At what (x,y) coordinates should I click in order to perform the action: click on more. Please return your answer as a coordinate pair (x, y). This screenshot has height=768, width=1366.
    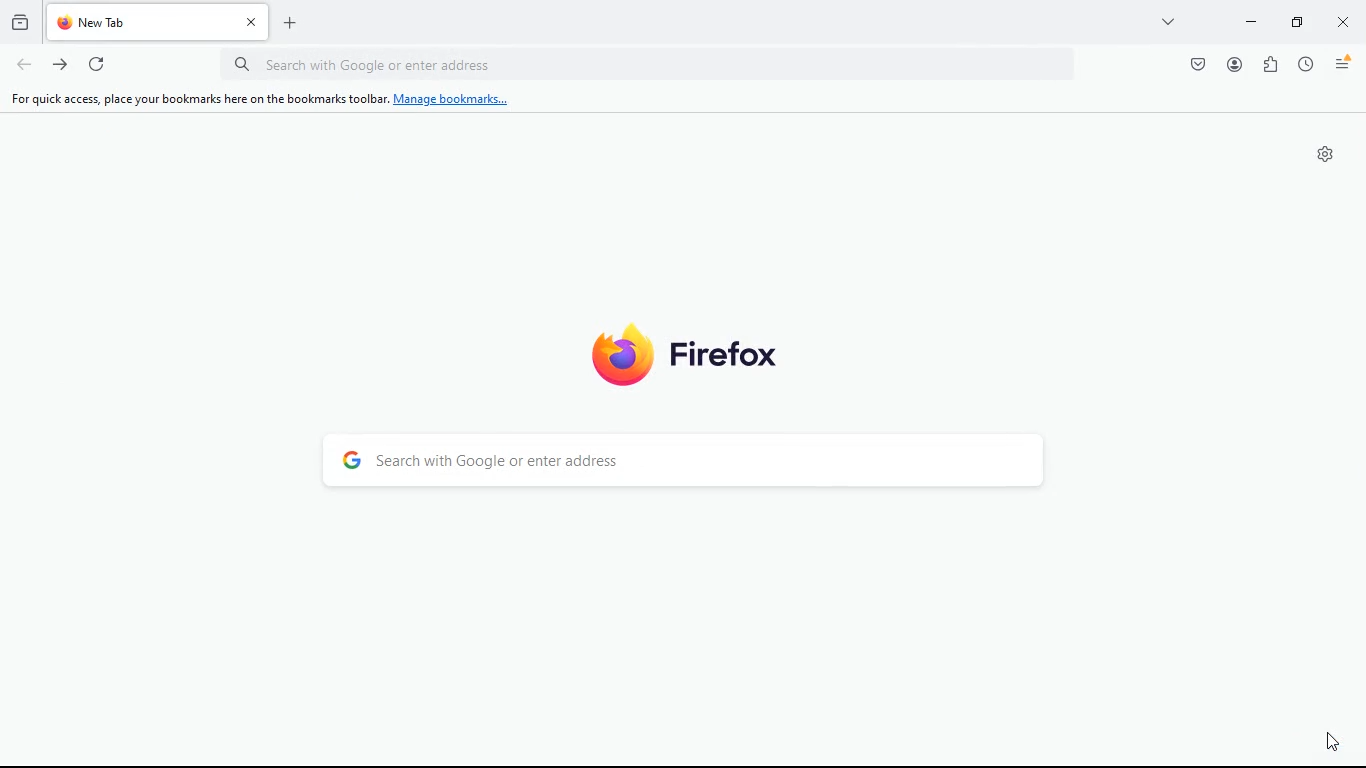
    Looking at the image, I should click on (1165, 21).